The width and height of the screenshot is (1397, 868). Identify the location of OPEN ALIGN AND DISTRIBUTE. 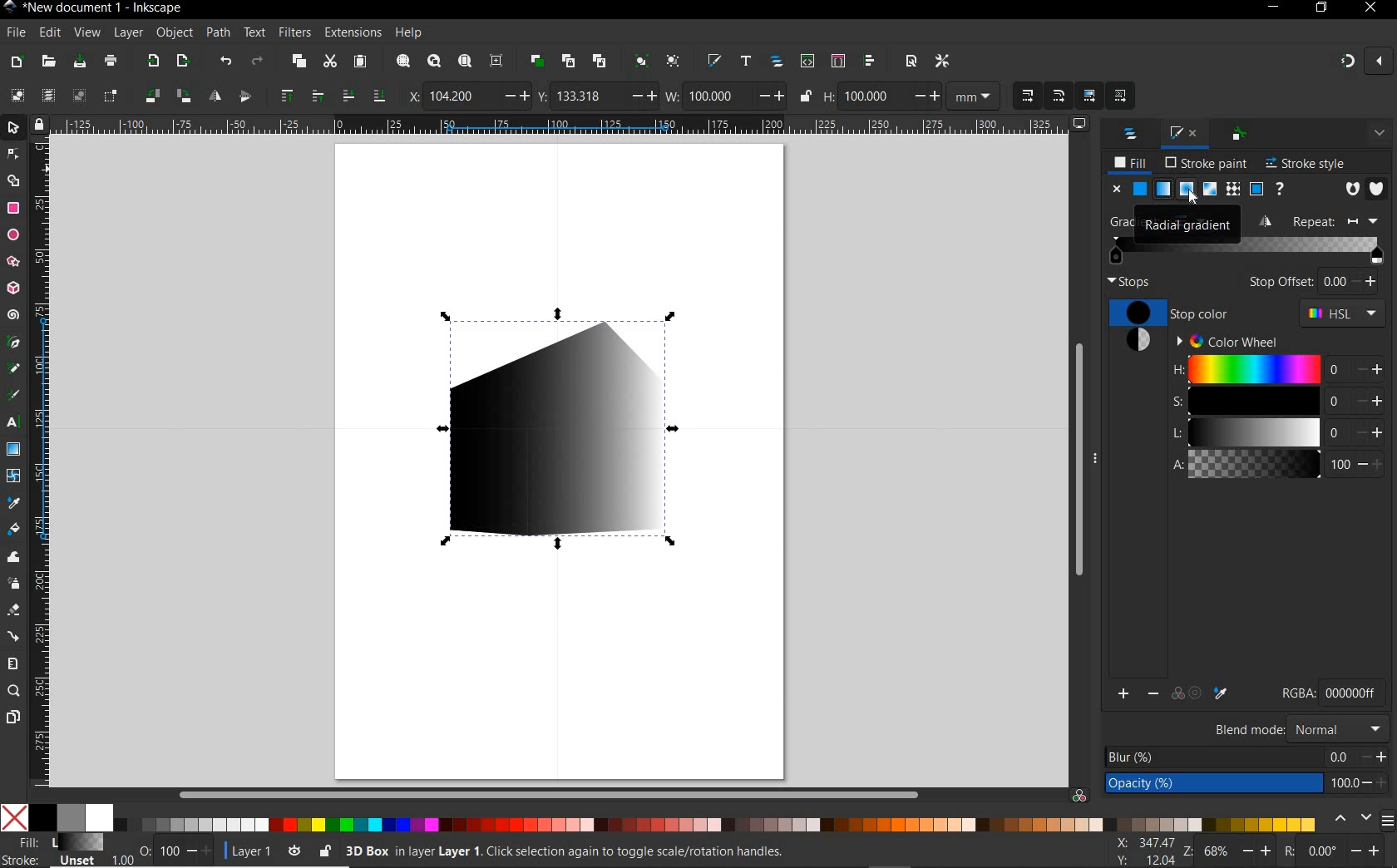
(870, 62).